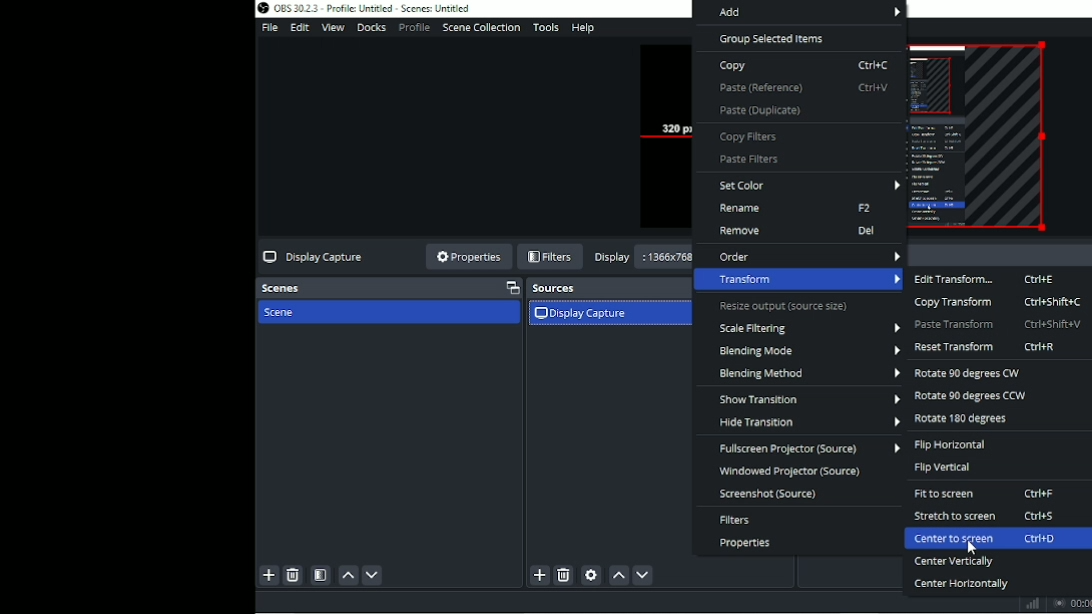 The height and width of the screenshot is (614, 1092). What do you see at coordinates (414, 28) in the screenshot?
I see `Profile` at bounding box center [414, 28].